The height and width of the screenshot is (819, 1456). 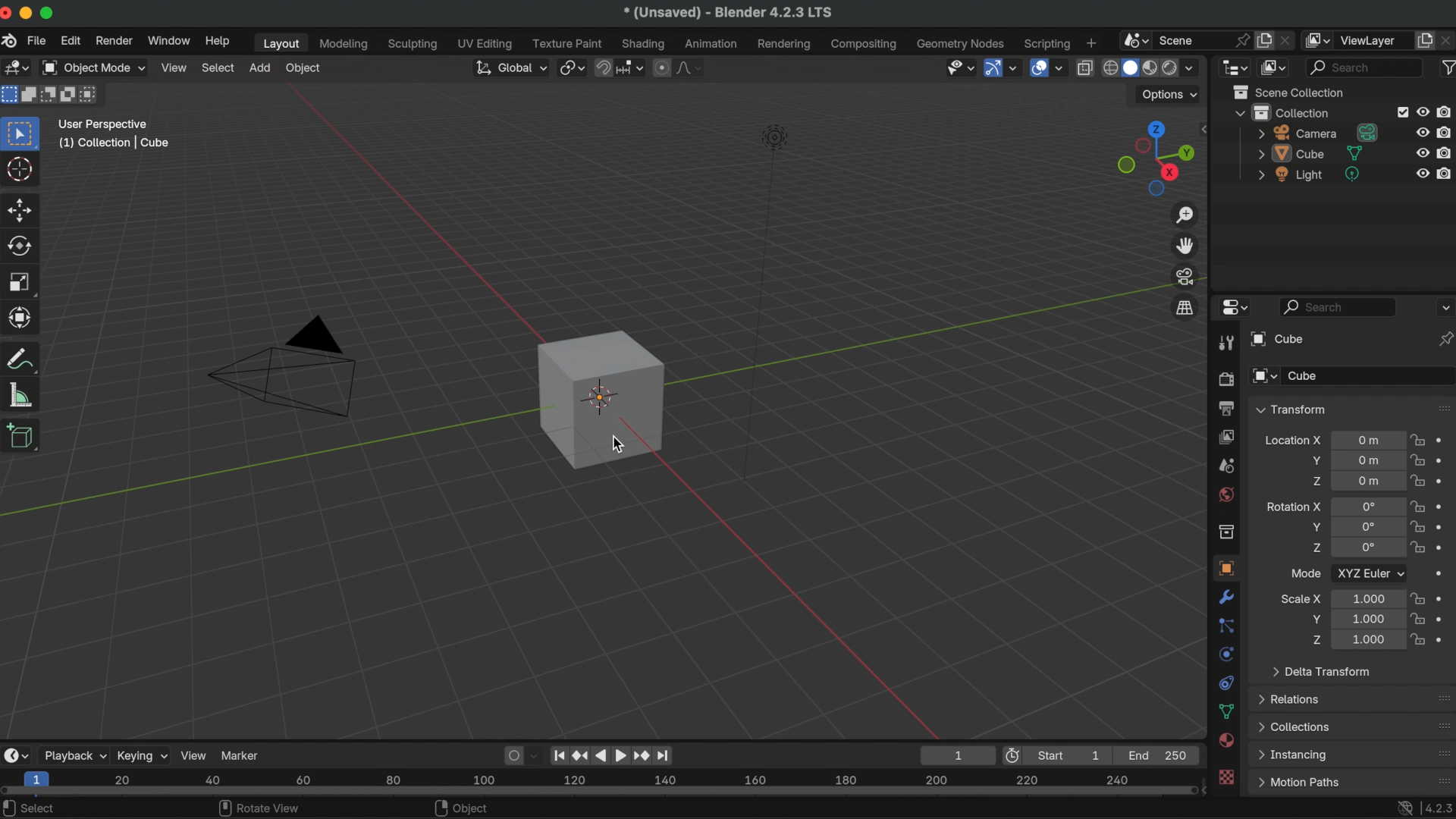 I want to click on toggle x-ray, so click(x=1084, y=67).